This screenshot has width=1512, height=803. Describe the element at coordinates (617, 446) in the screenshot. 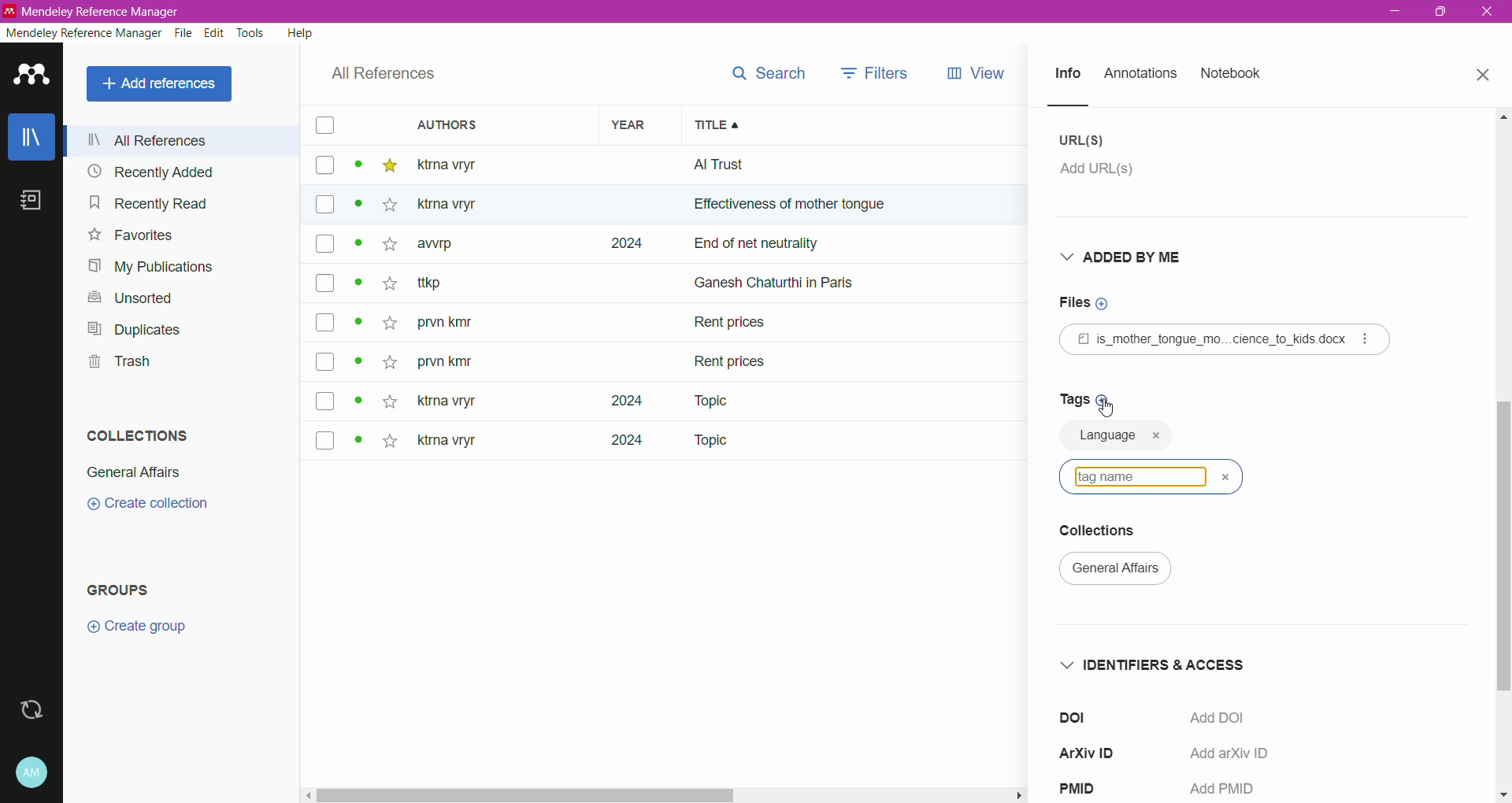

I see `2024` at that location.